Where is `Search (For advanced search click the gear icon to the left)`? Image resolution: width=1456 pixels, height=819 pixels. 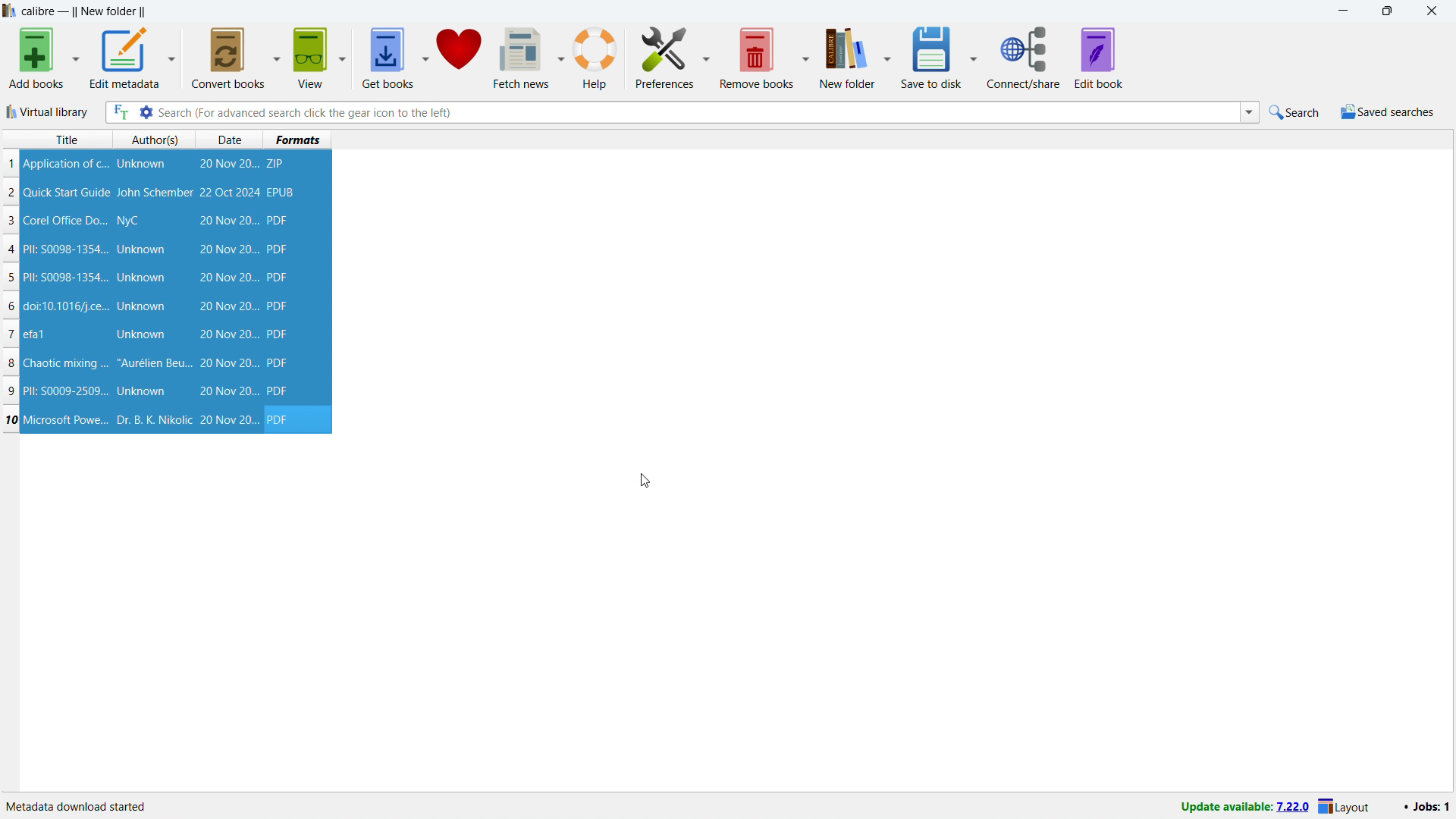
Search (For advanced search click the gear icon to the left) is located at coordinates (696, 111).